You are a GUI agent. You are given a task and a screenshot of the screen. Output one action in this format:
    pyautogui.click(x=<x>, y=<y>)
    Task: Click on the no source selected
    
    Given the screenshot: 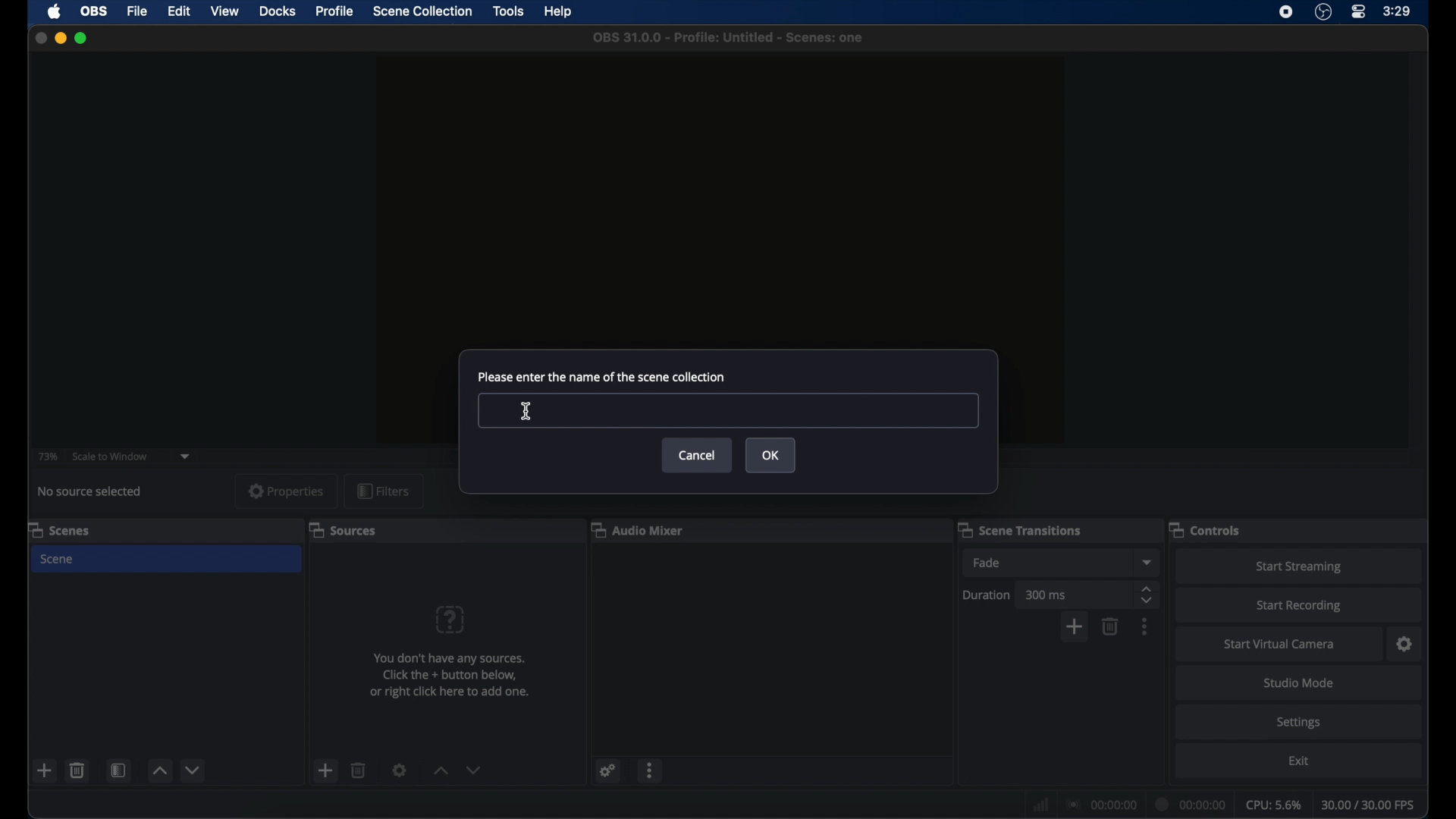 What is the action you would take?
    pyautogui.click(x=95, y=491)
    